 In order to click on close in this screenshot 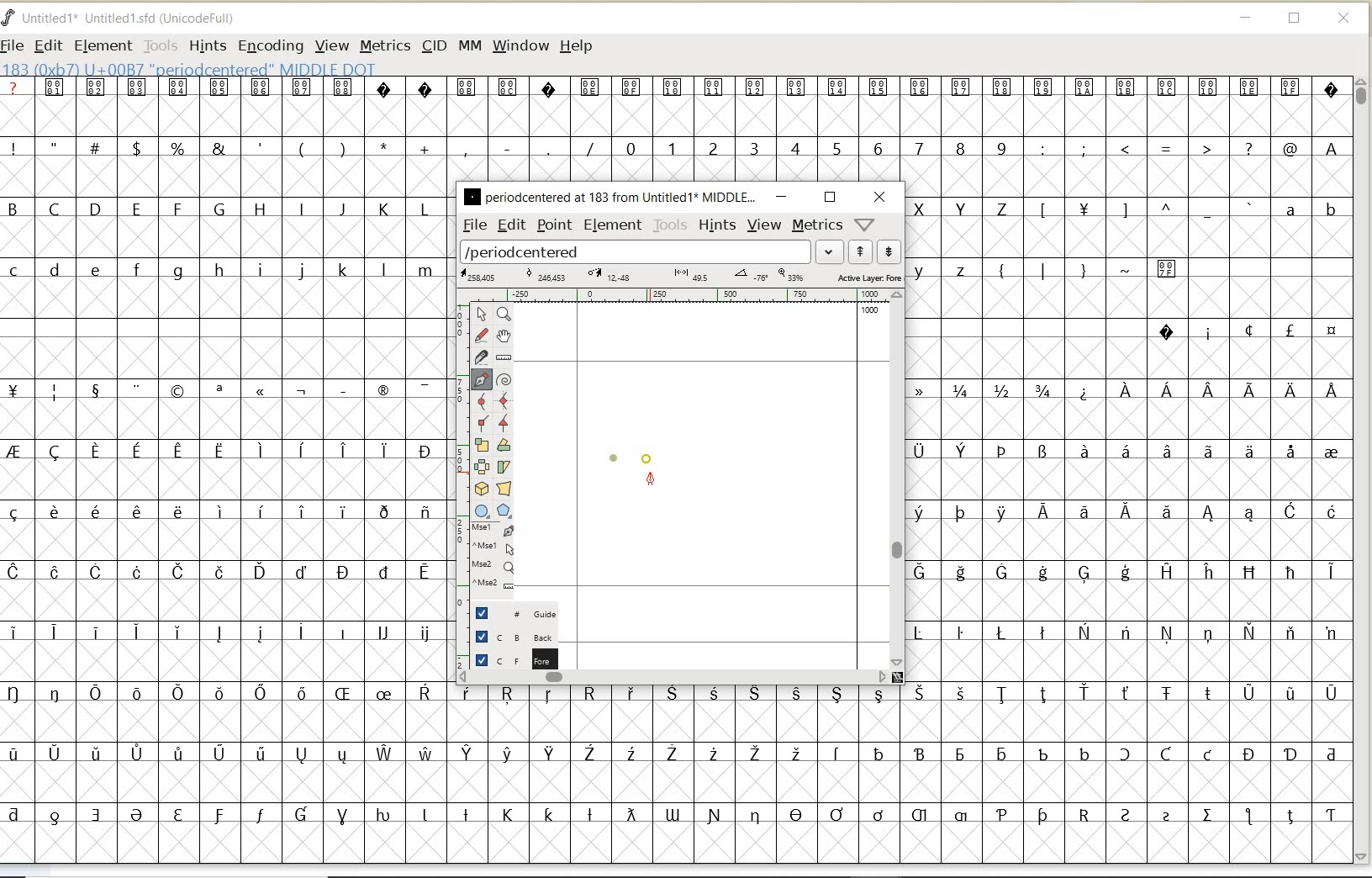, I will do `click(879, 197)`.